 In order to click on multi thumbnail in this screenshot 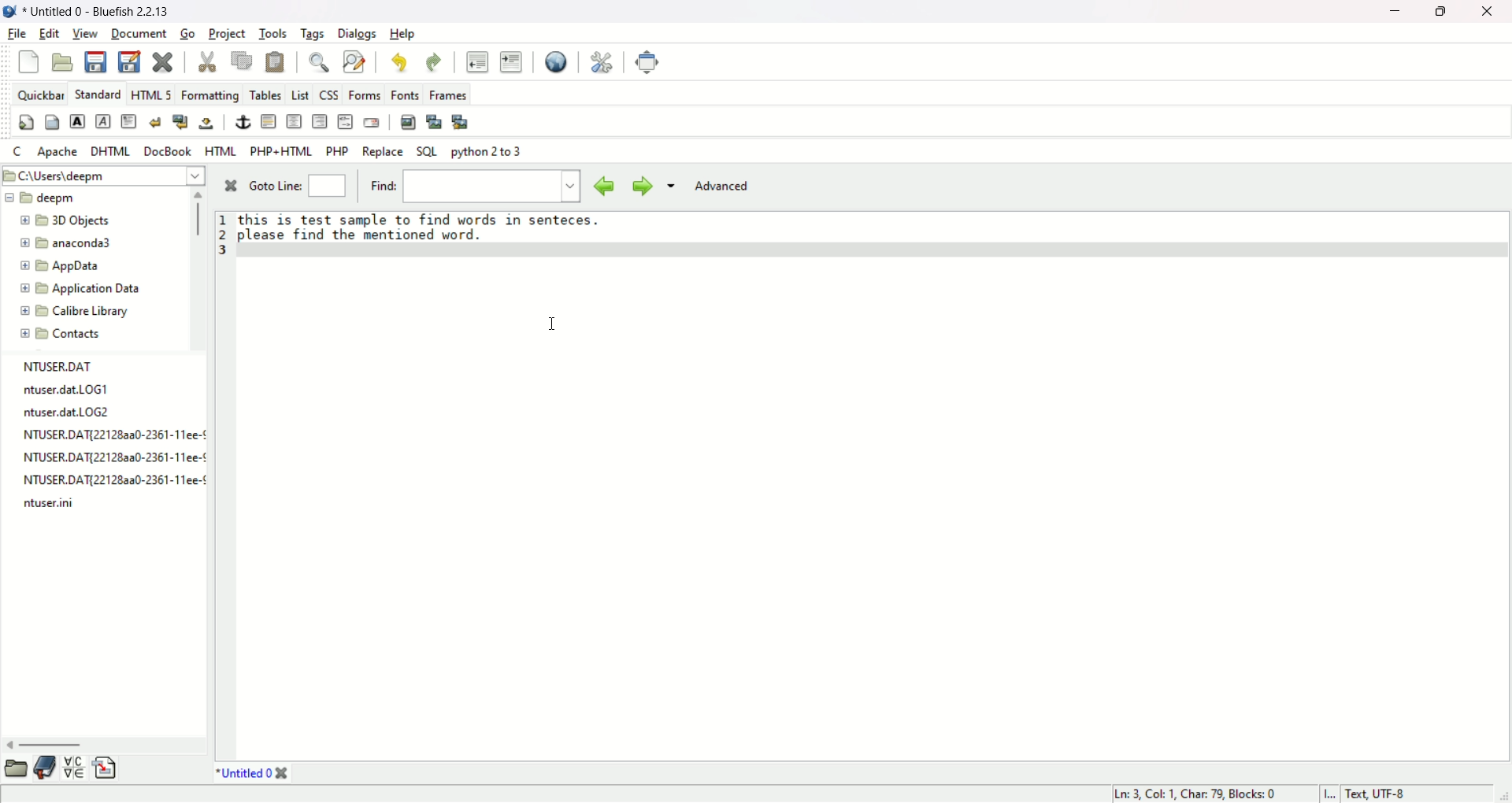, I will do `click(465, 124)`.